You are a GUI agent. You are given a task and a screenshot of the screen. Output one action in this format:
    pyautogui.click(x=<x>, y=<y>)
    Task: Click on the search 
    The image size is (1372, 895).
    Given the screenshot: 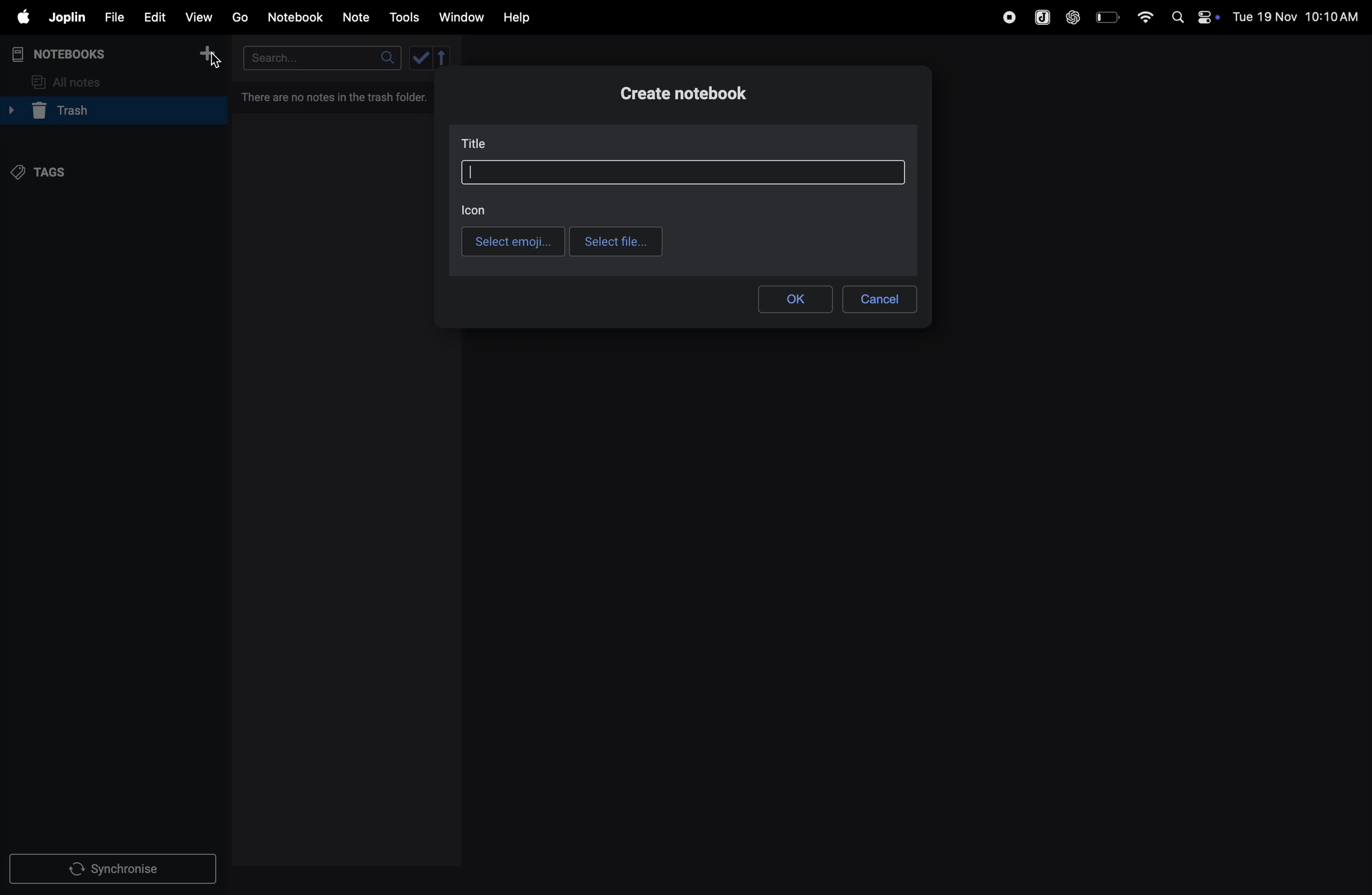 What is the action you would take?
    pyautogui.click(x=318, y=57)
    